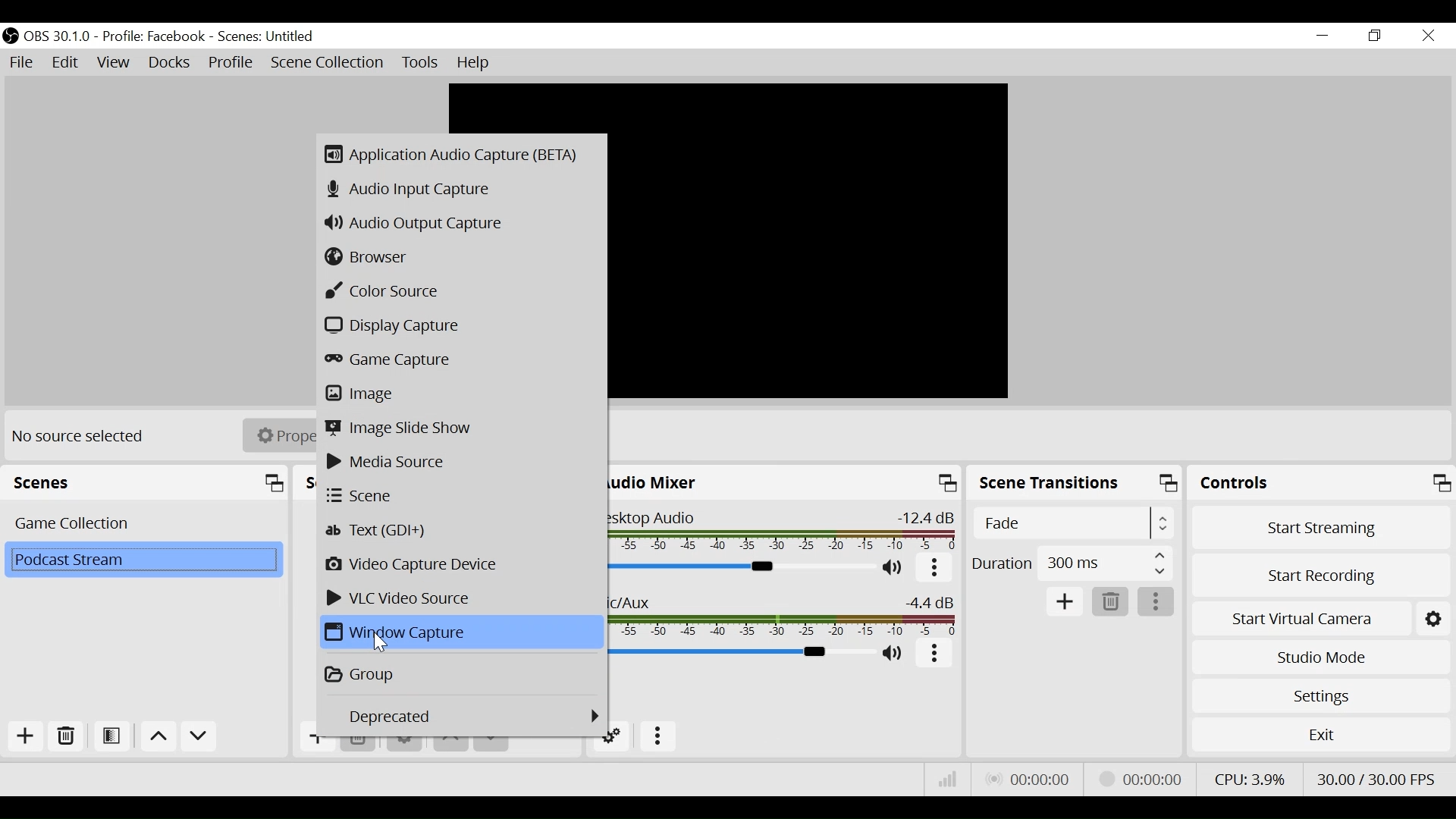 This screenshot has width=1456, height=819. Describe the element at coordinates (786, 482) in the screenshot. I see `Audio Mixer Panel` at that location.